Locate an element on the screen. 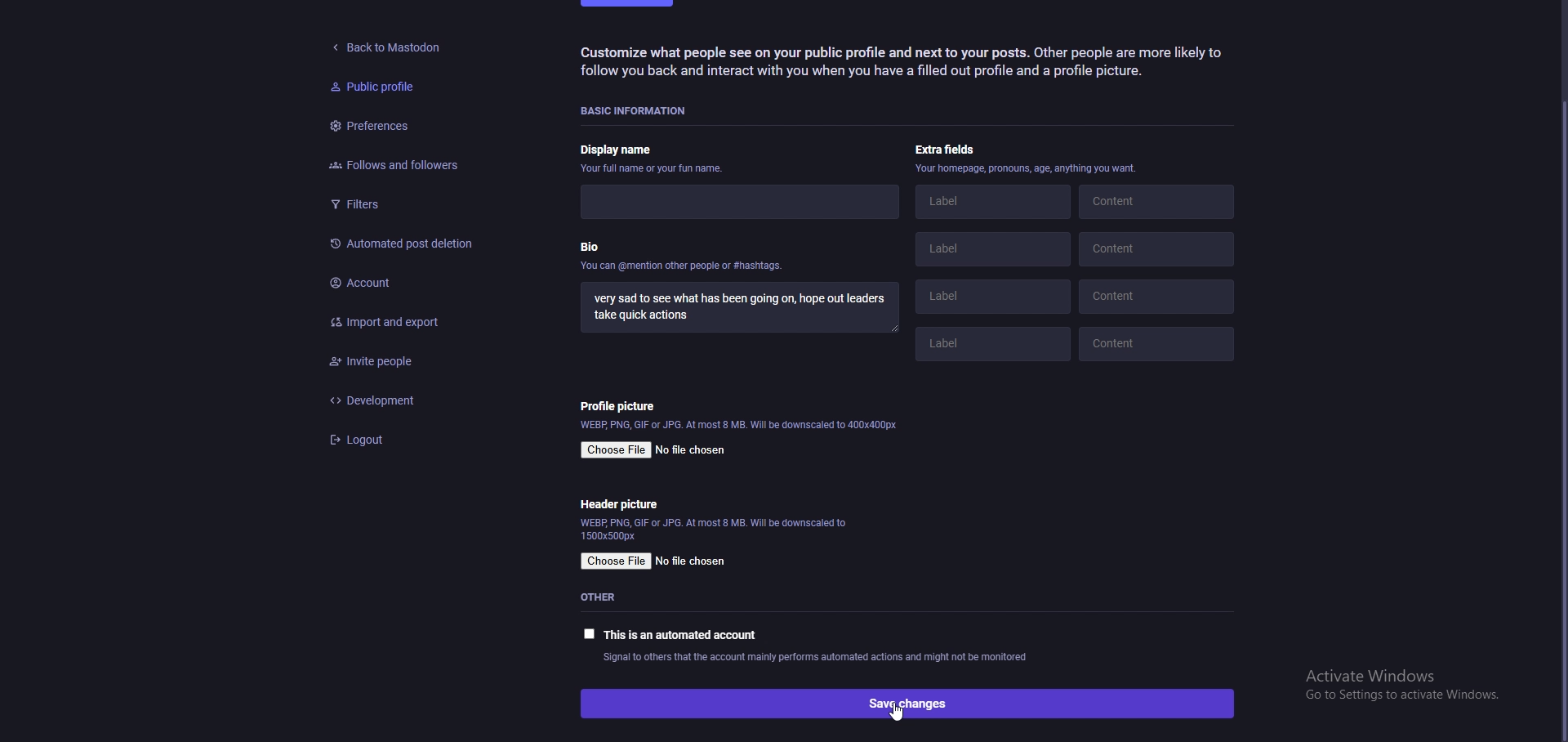  this is an automated account is located at coordinates (670, 634).